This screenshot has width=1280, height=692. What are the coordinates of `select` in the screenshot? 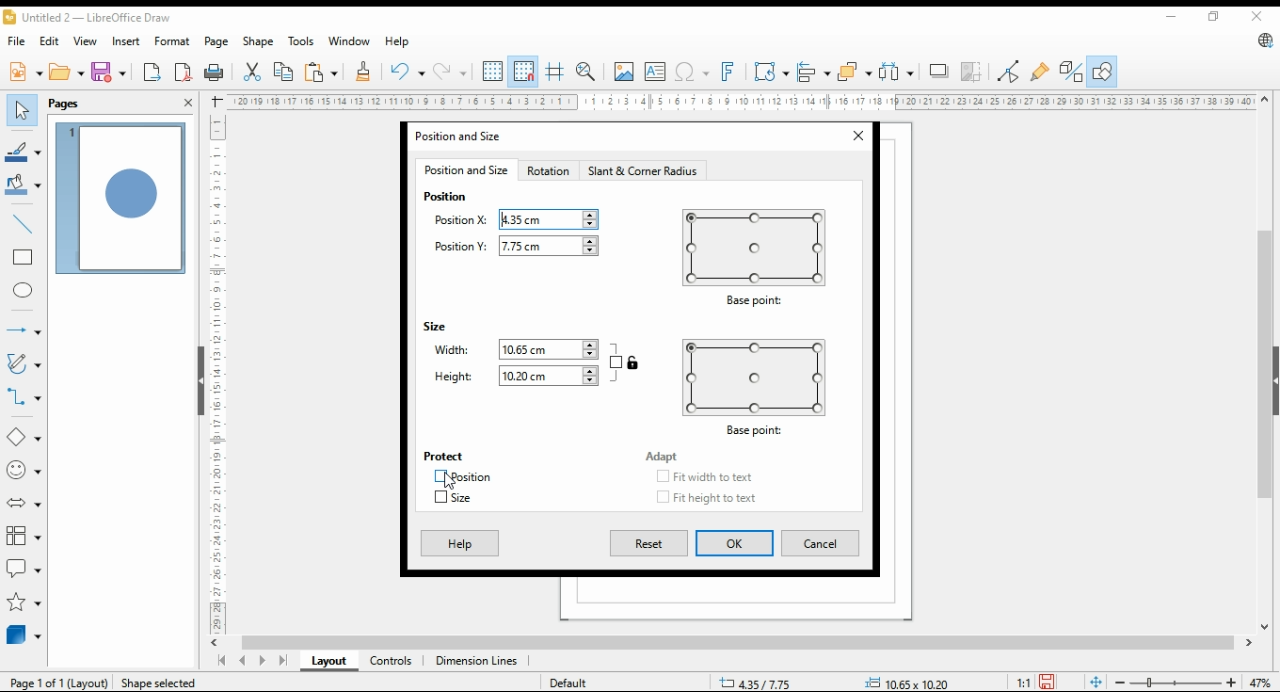 It's located at (22, 110).